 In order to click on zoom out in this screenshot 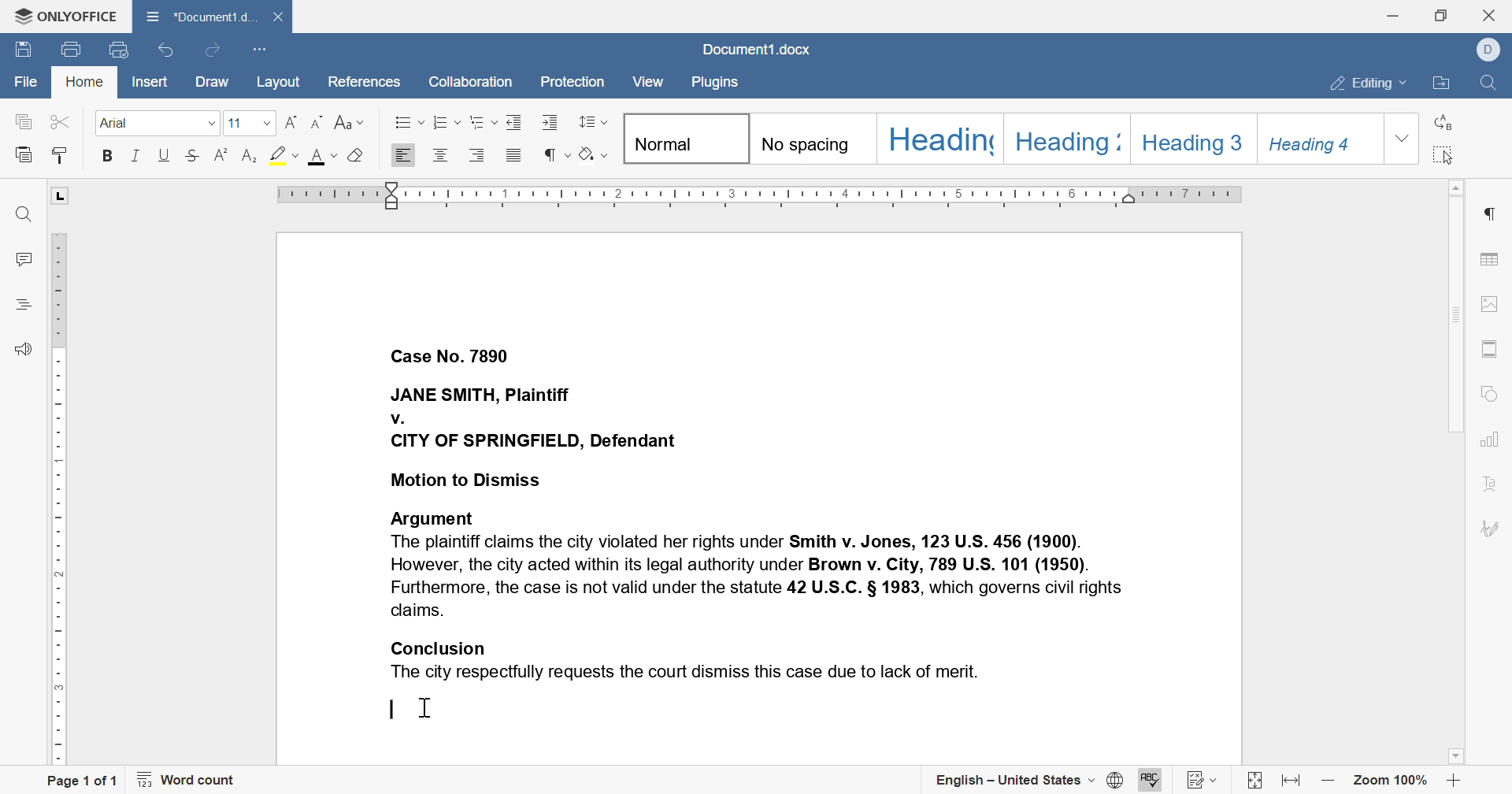, I will do `click(1328, 783)`.